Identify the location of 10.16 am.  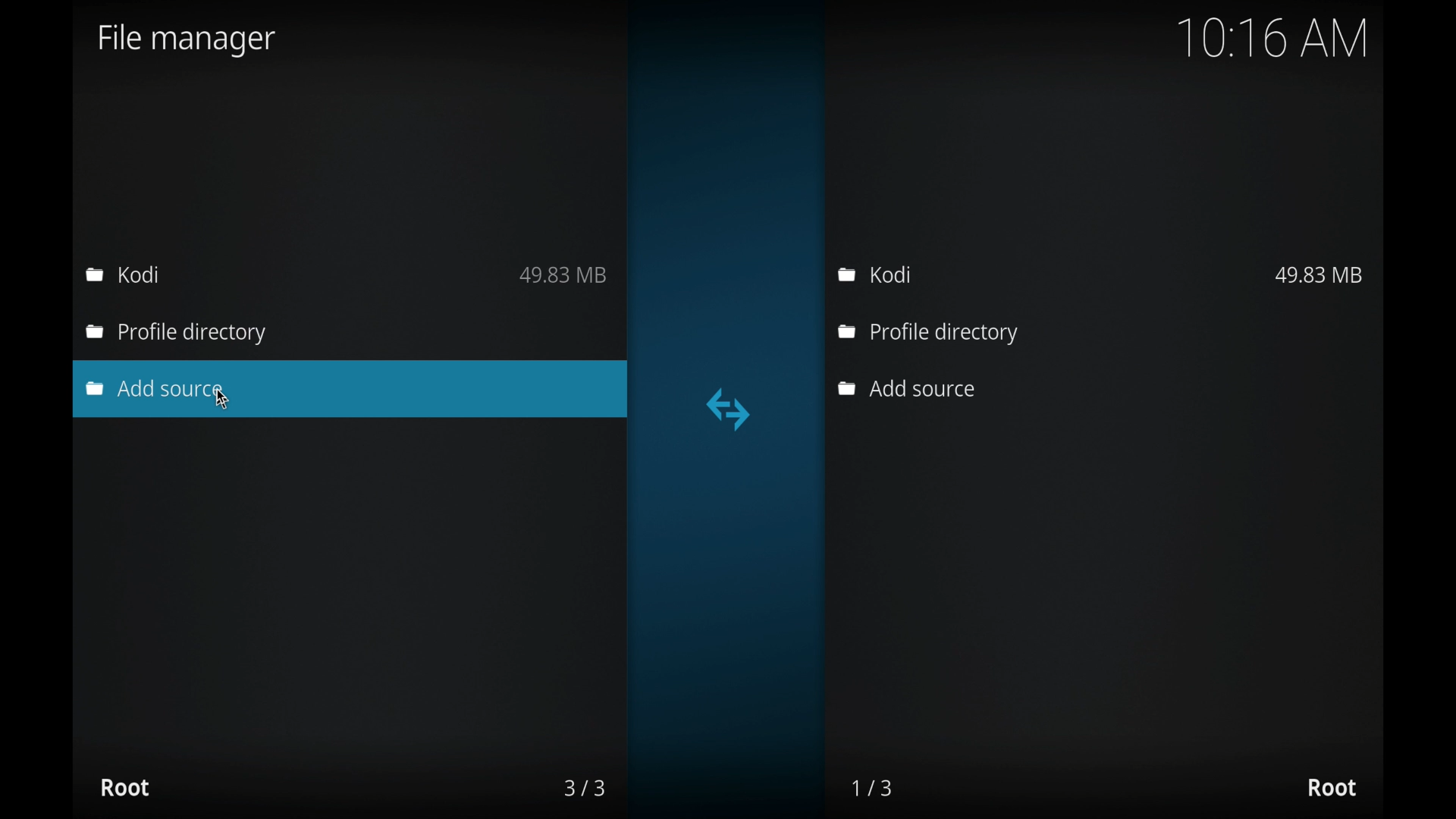
(1273, 38).